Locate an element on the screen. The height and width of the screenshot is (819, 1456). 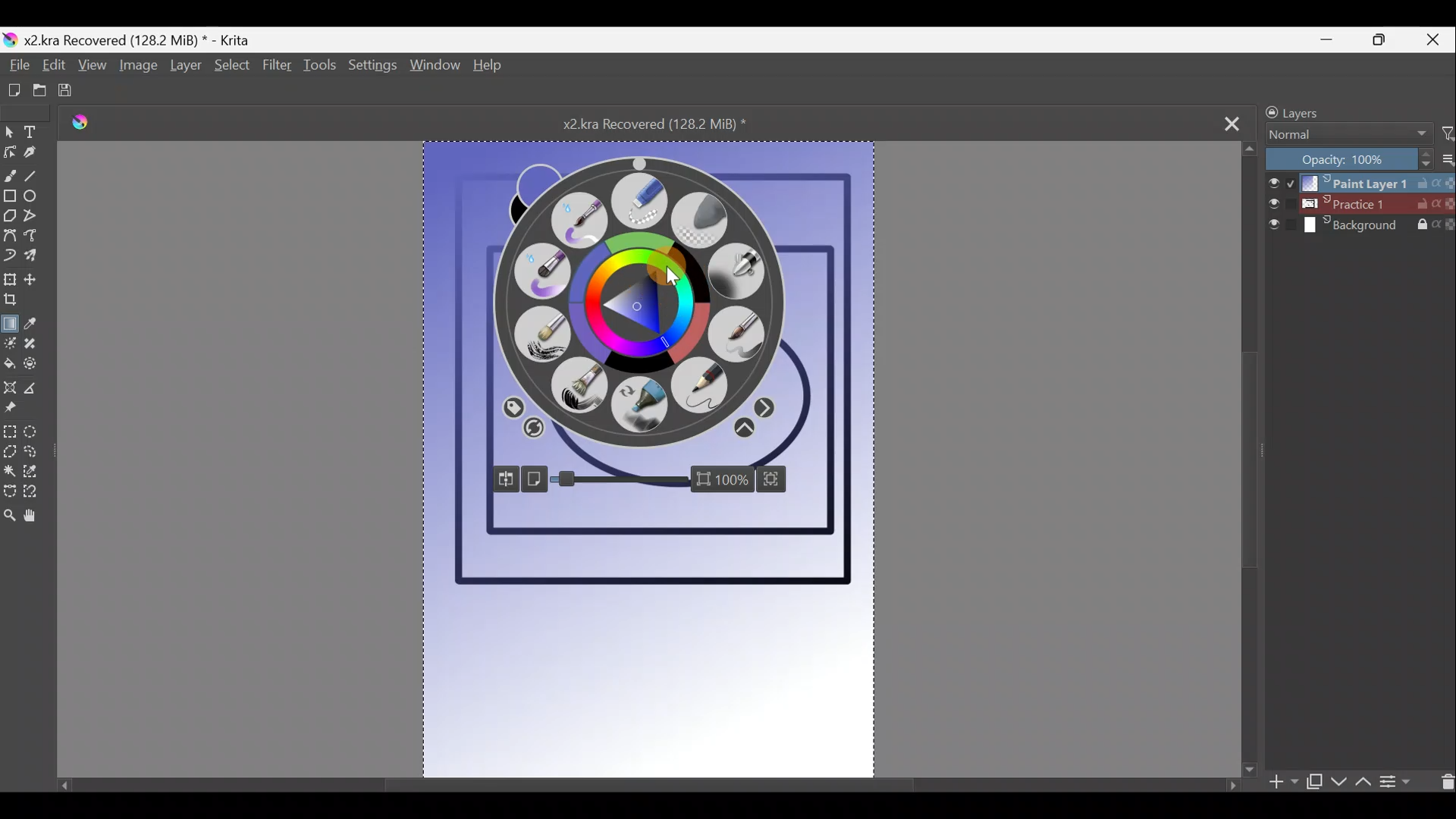
Fill a contiguous area of colour with colour/fill a selection is located at coordinates (9, 366).